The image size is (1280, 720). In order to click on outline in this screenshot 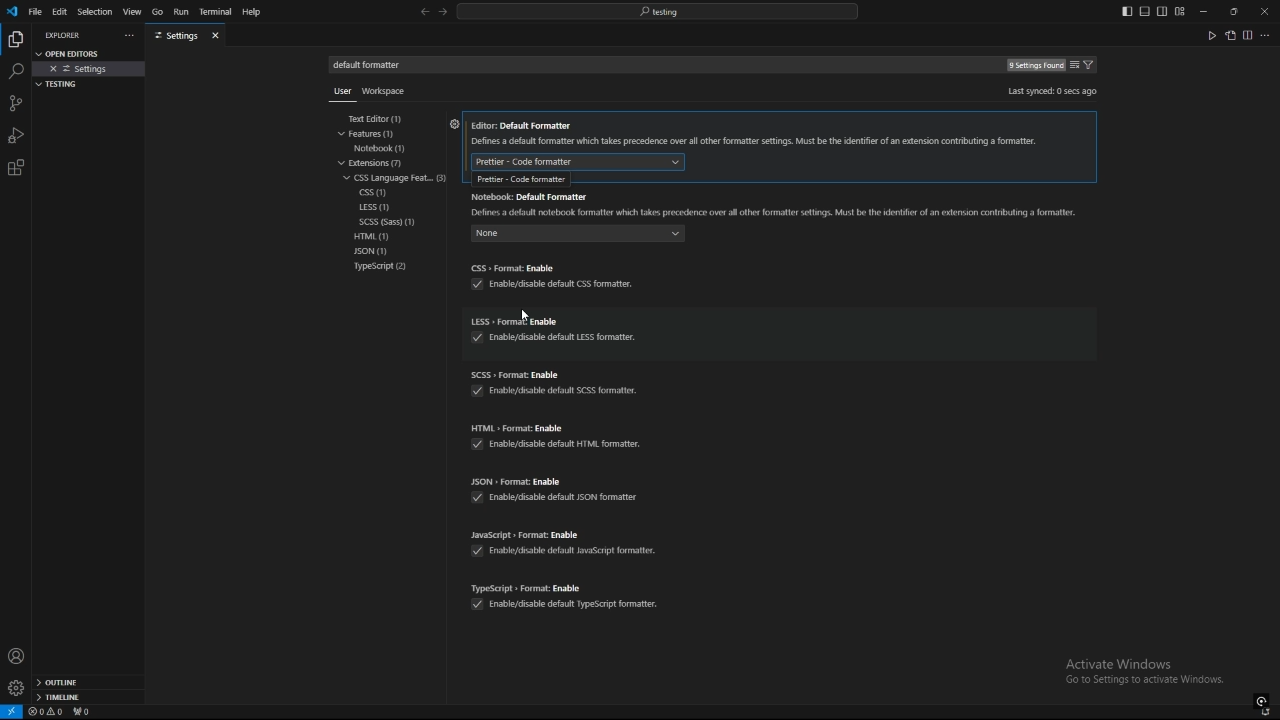, I will do `click(88, 683)`.